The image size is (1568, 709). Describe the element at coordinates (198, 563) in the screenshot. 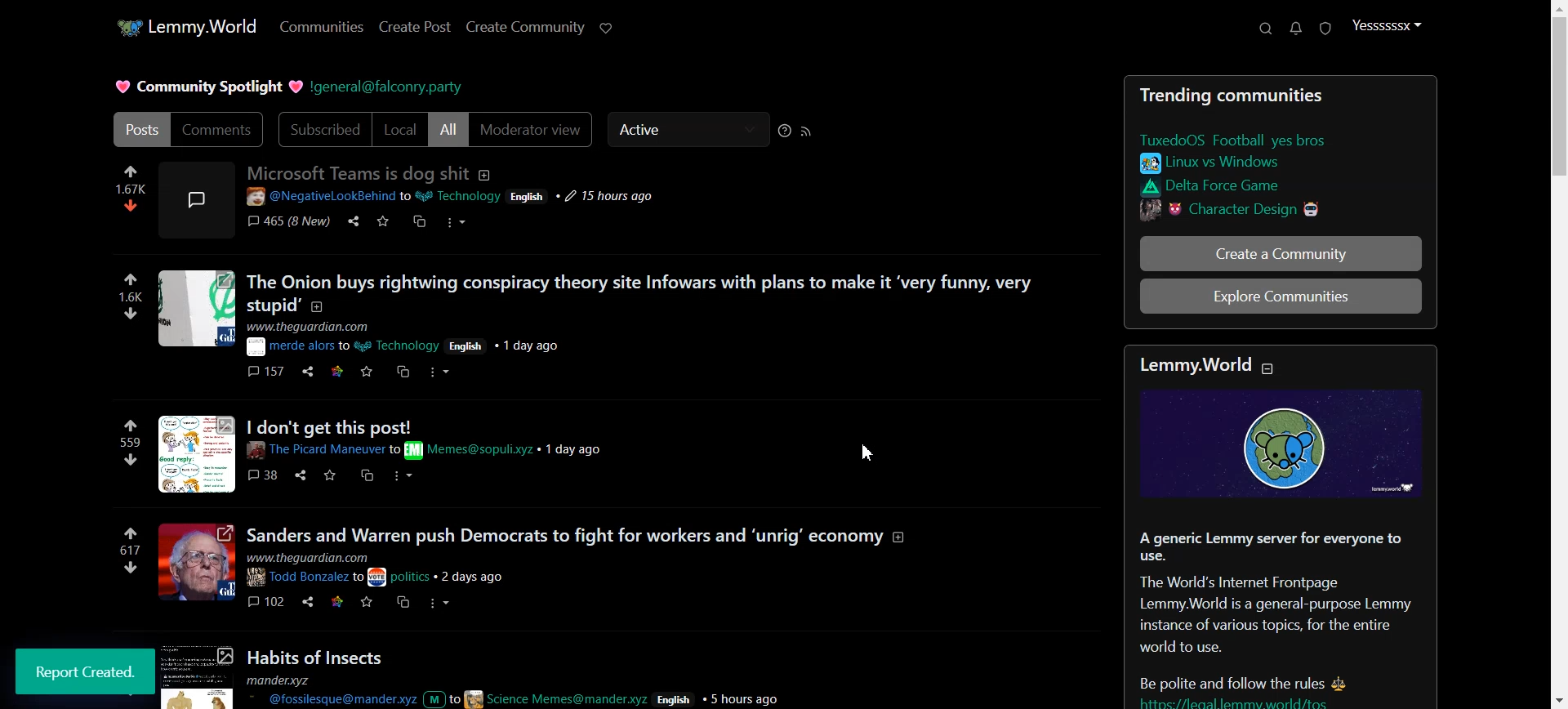

I see `image` at that location.